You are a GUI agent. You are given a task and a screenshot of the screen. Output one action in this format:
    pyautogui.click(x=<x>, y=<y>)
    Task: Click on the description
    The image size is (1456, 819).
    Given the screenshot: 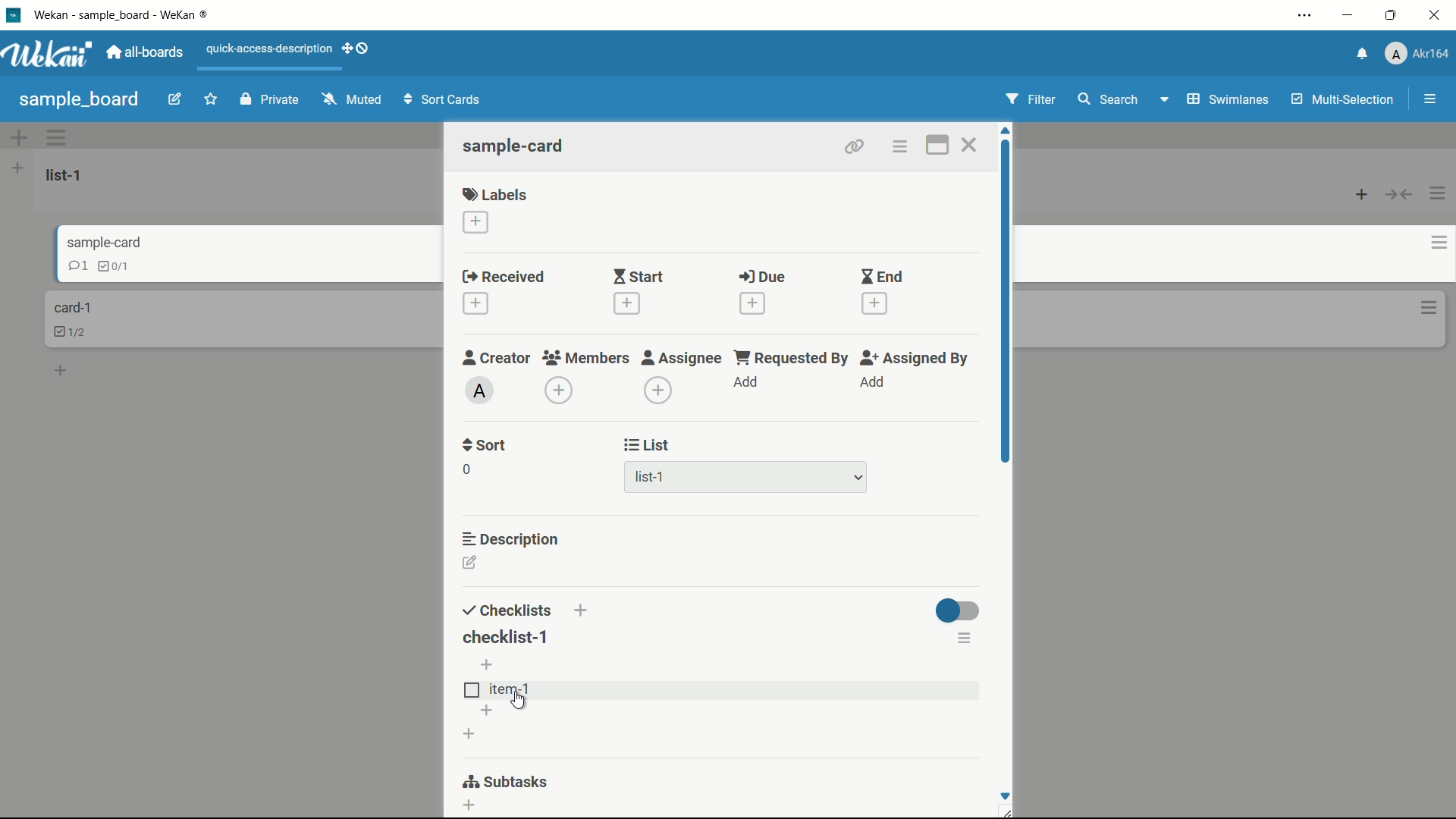 What is the action you would take?
    pyautogui.click(x=511, y=539)
    